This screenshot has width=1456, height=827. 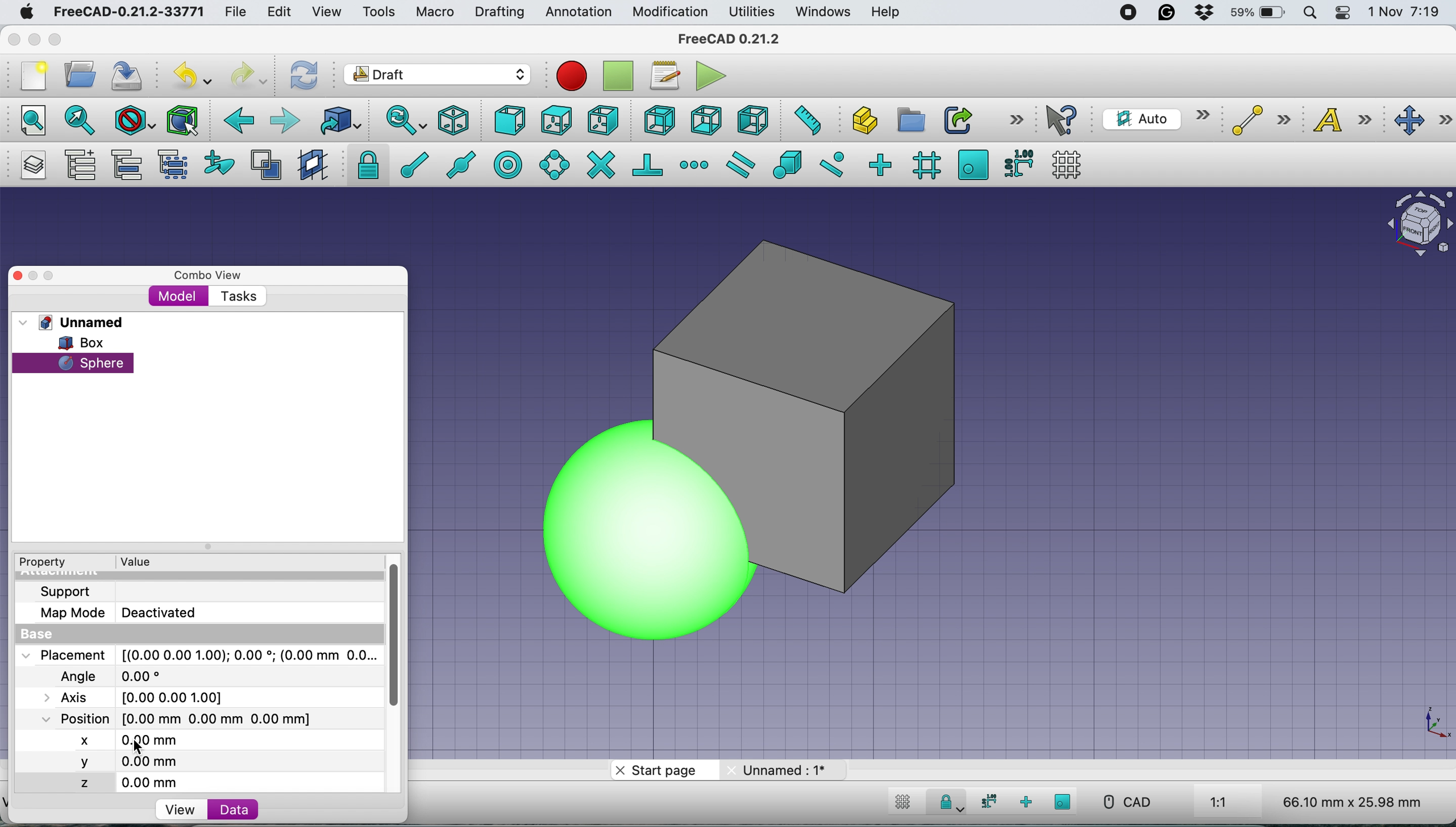 I want to click on macro, so click(x=434, y=12).